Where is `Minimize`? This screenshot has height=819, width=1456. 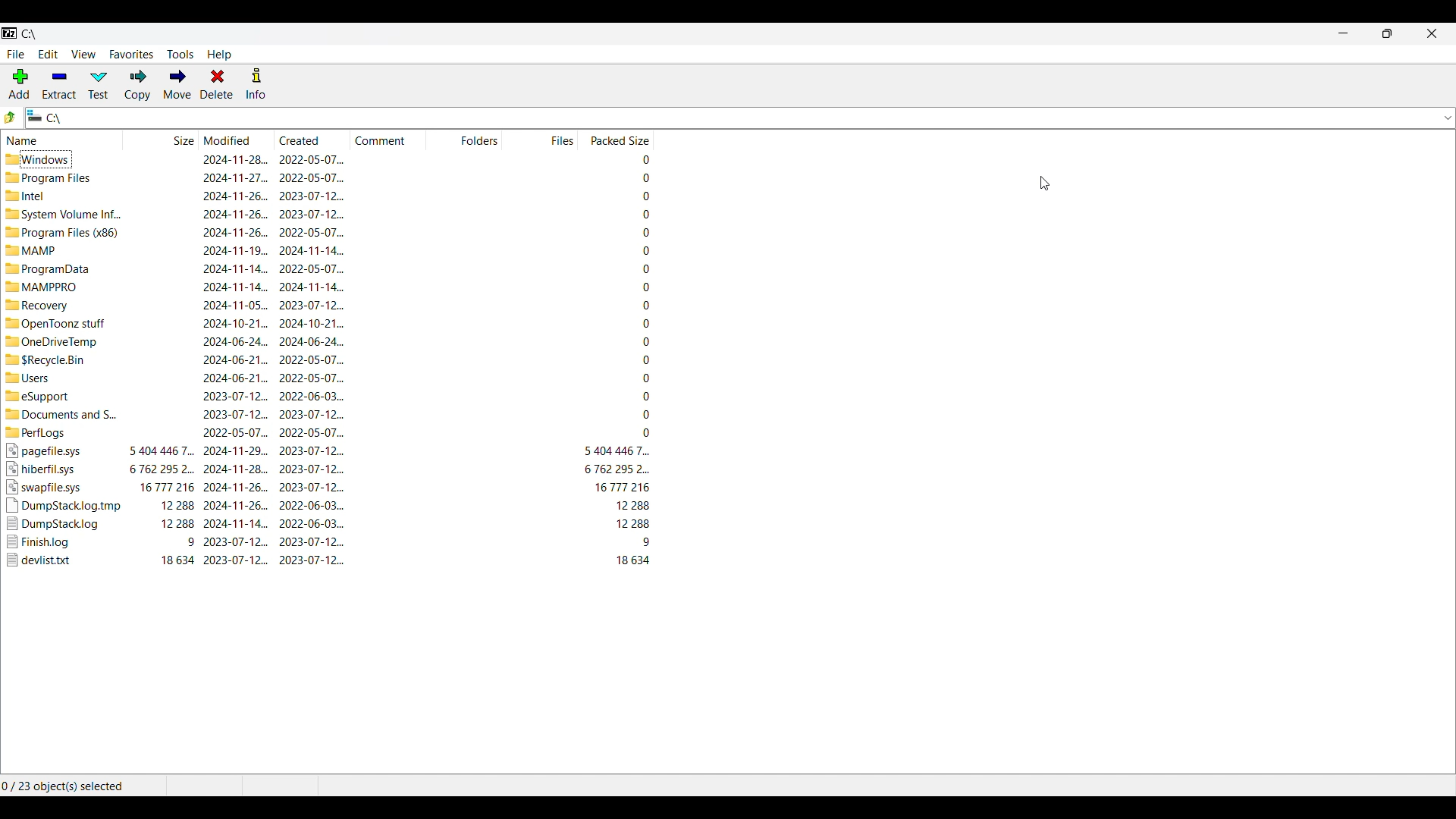
Minimize is located at coordinates (1343, 33).